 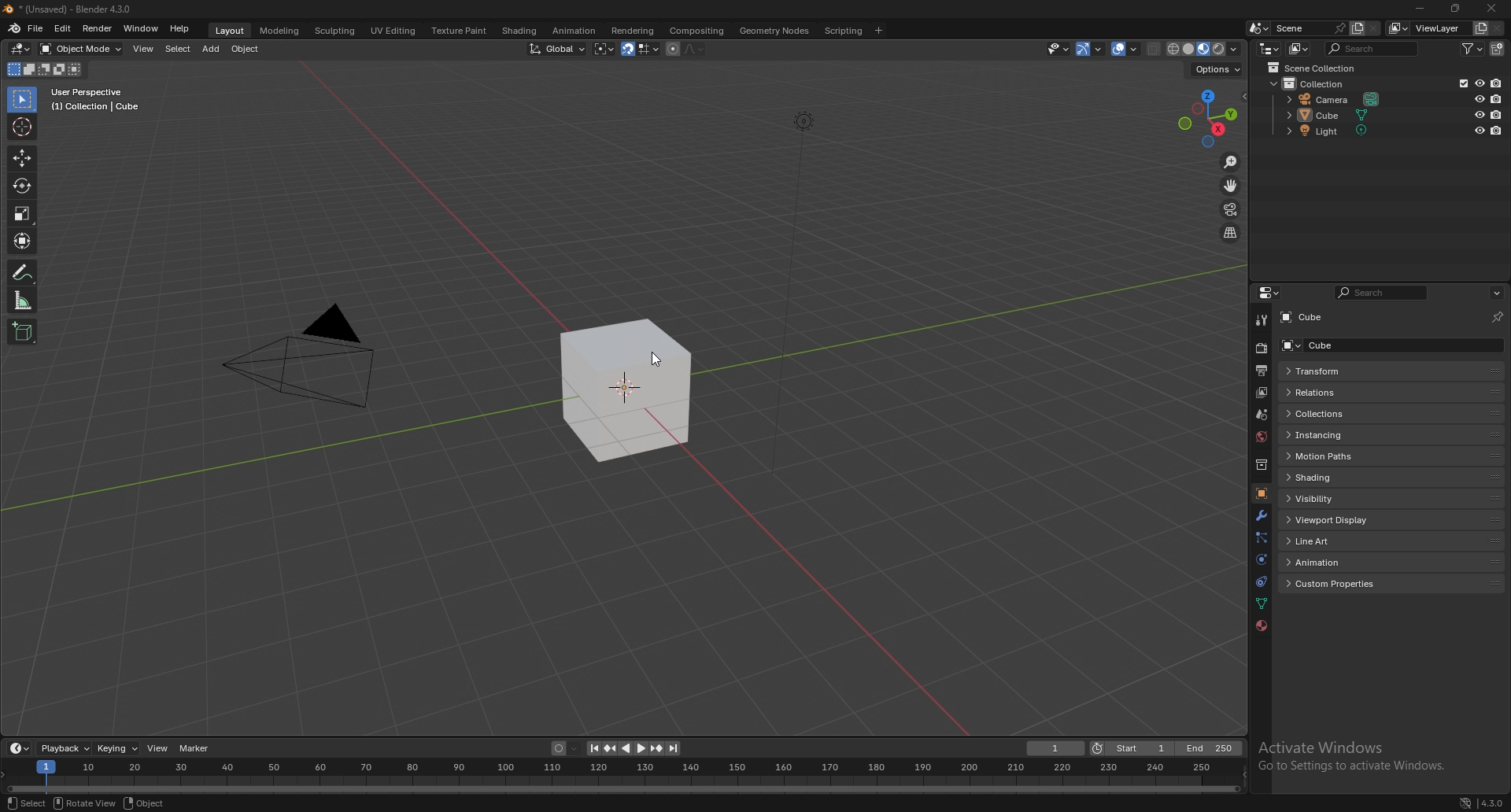 What do you see at coordinates (1466, 803) in the screenshot?
I see `network` at bounding box center [1466, 803].